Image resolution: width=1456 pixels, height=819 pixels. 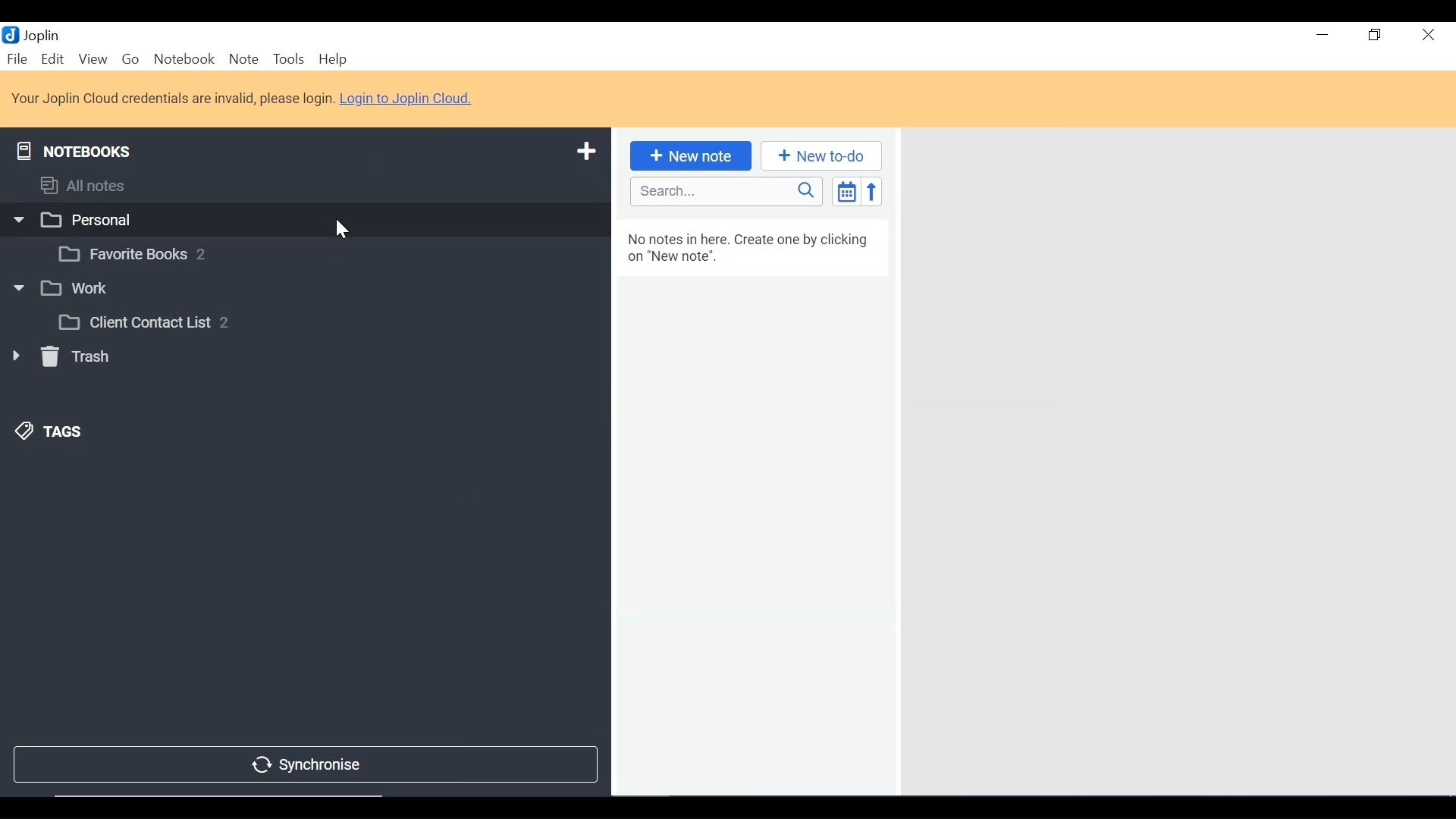 I want to click on Joplin, so click(x=43, y=35).